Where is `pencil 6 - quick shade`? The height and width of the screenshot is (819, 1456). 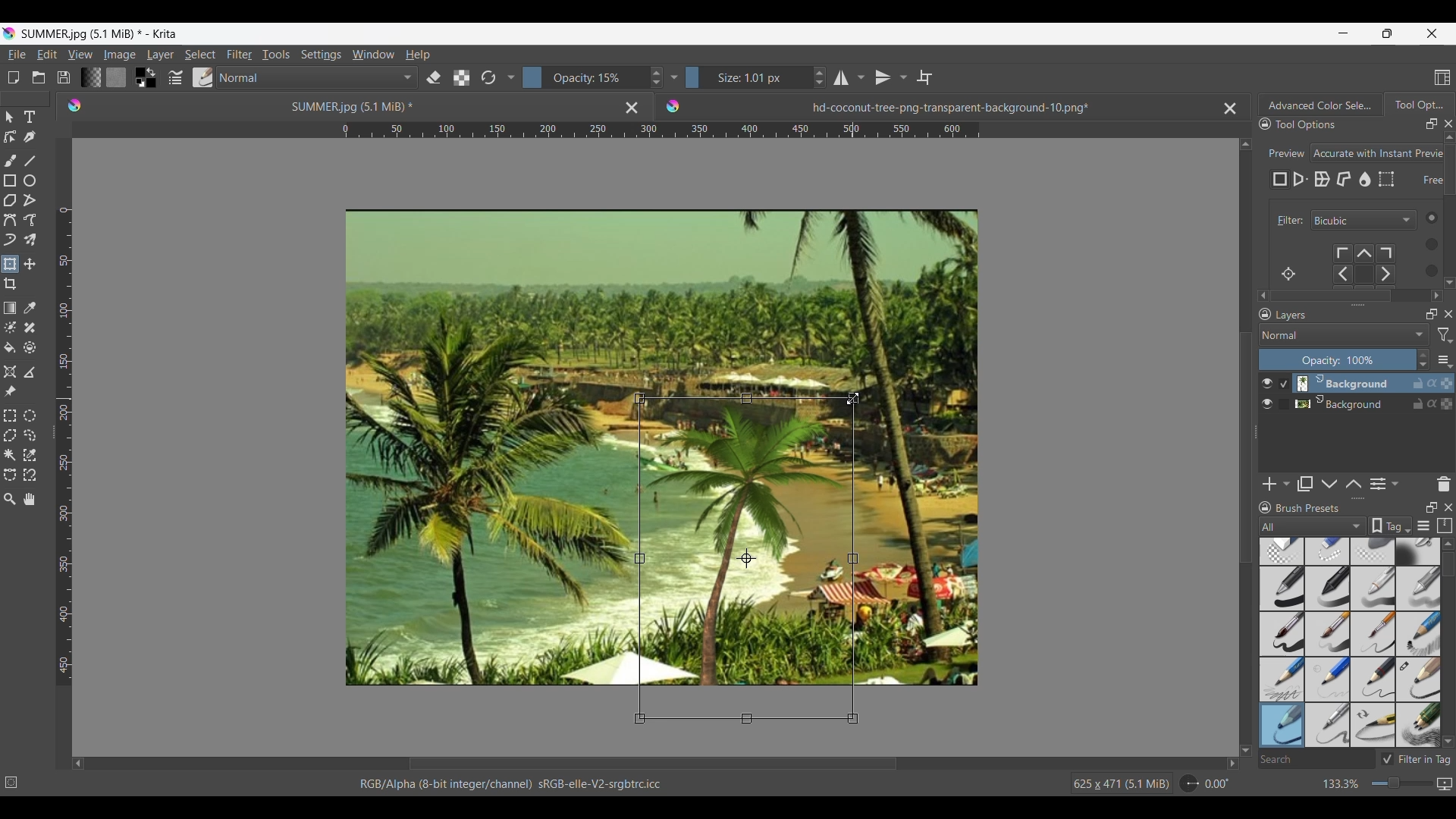 pencil 6 - quick shade is located at coordinates (1374, 724).